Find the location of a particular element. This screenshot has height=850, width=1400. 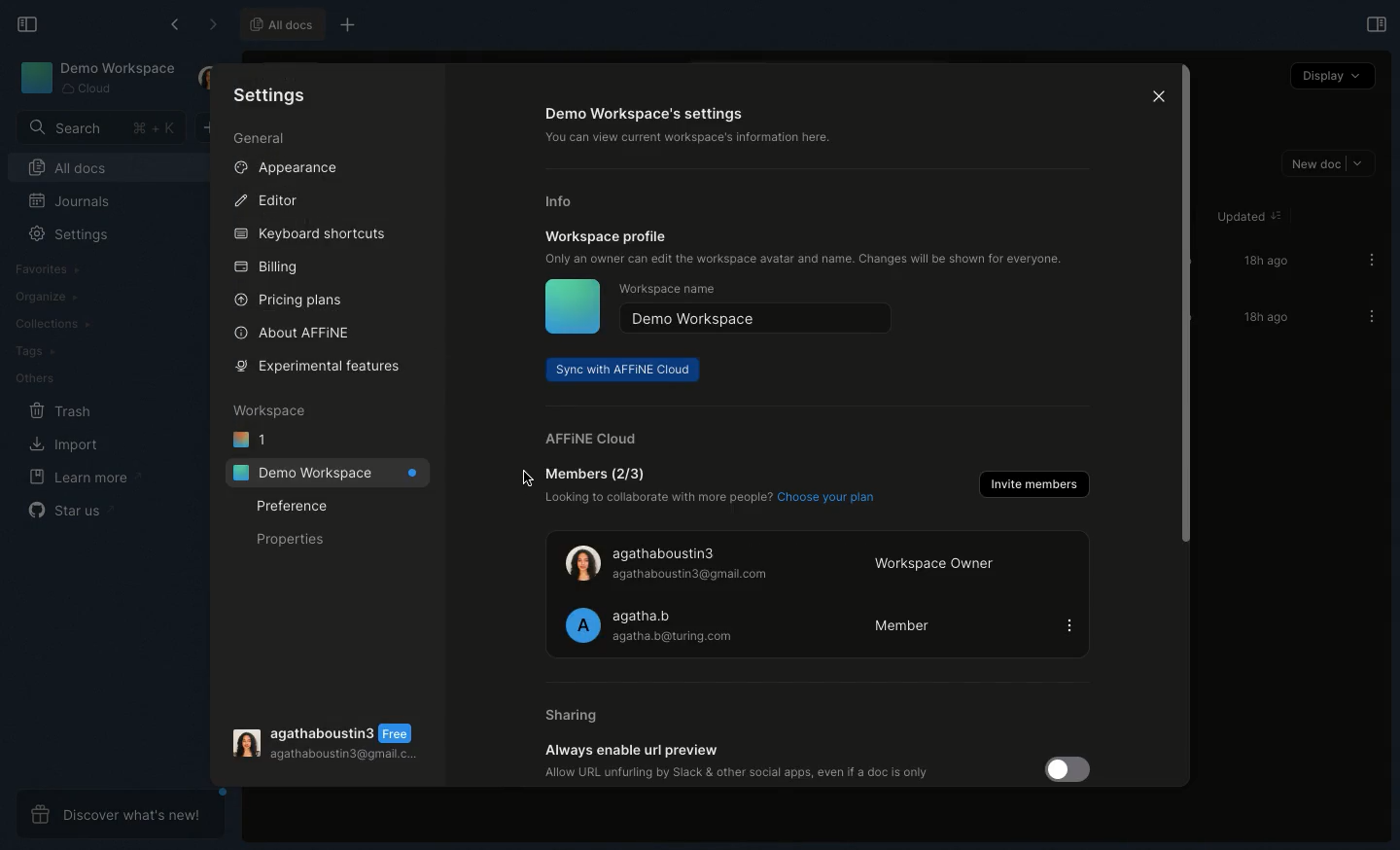

Close is located at coordinates (1157, 96).